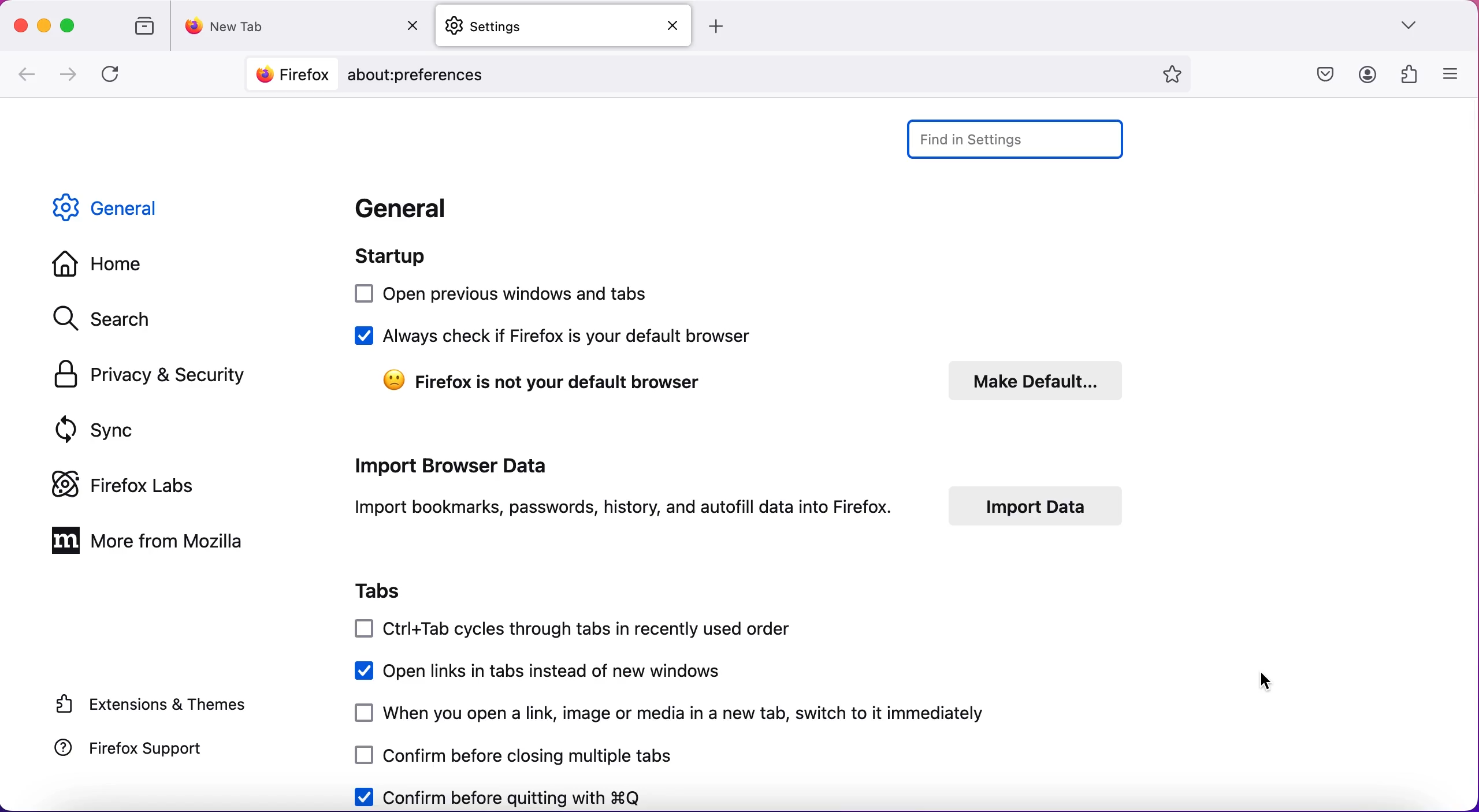 The image size is (1479, 812). I want to click on new tab, so click(284, 24).